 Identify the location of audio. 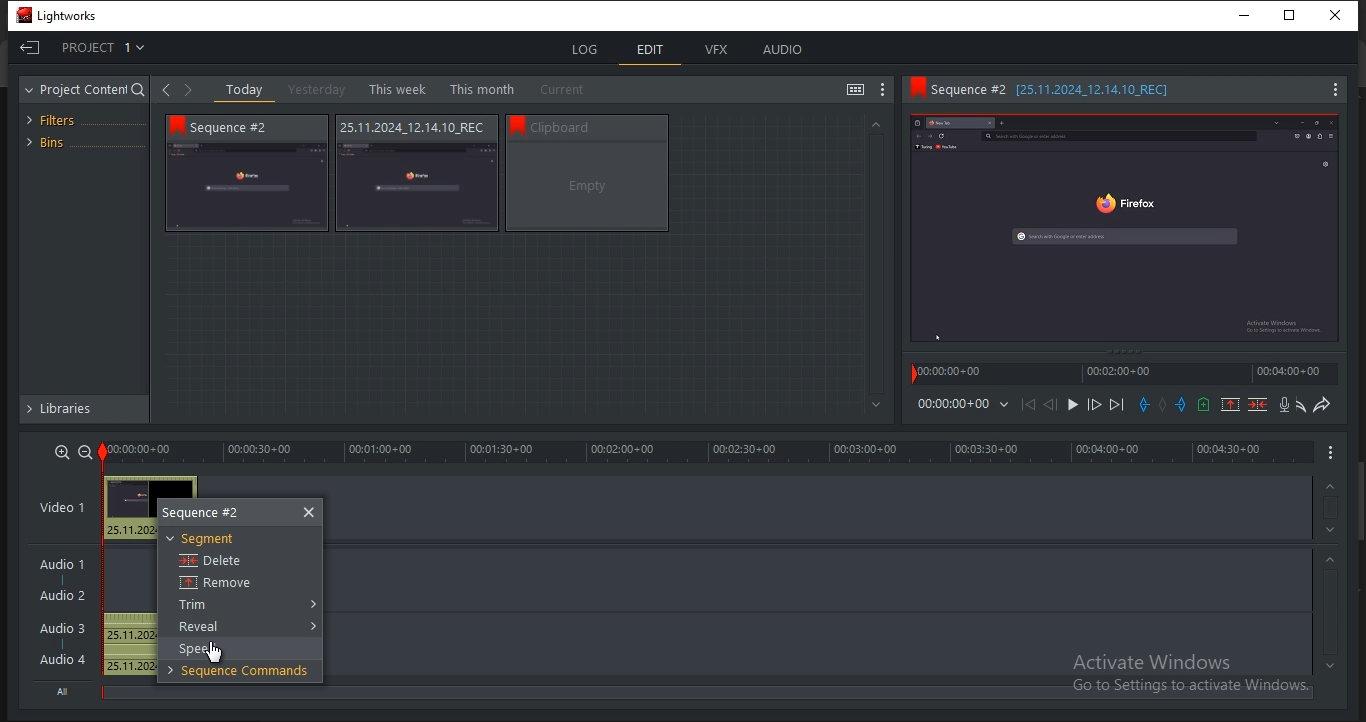
(785, 50).